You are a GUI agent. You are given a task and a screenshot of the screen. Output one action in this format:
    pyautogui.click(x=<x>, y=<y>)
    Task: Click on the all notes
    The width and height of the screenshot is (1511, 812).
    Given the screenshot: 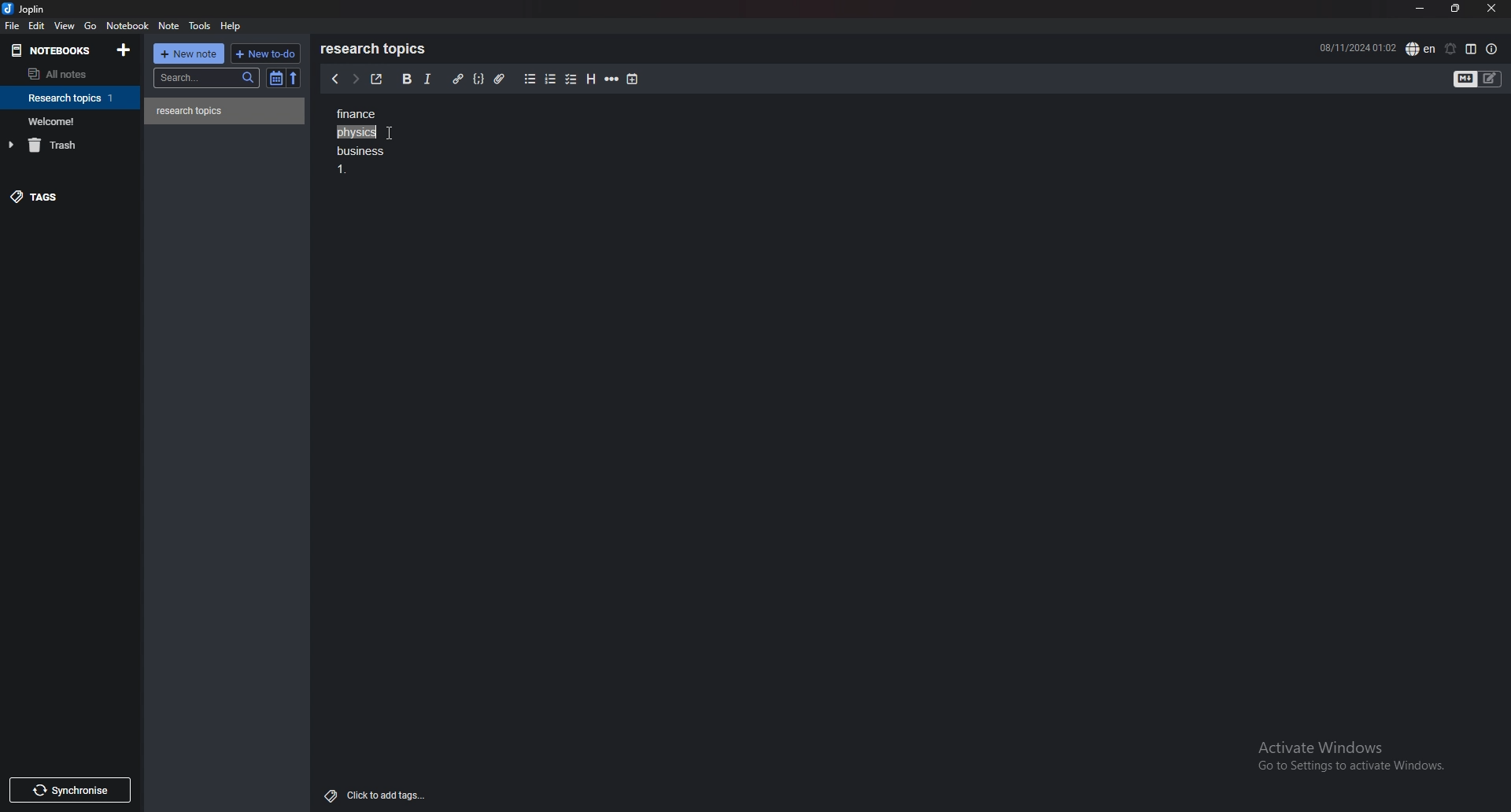 What is the action you would take?
    pyautogui.click(x=65, y=75)
    